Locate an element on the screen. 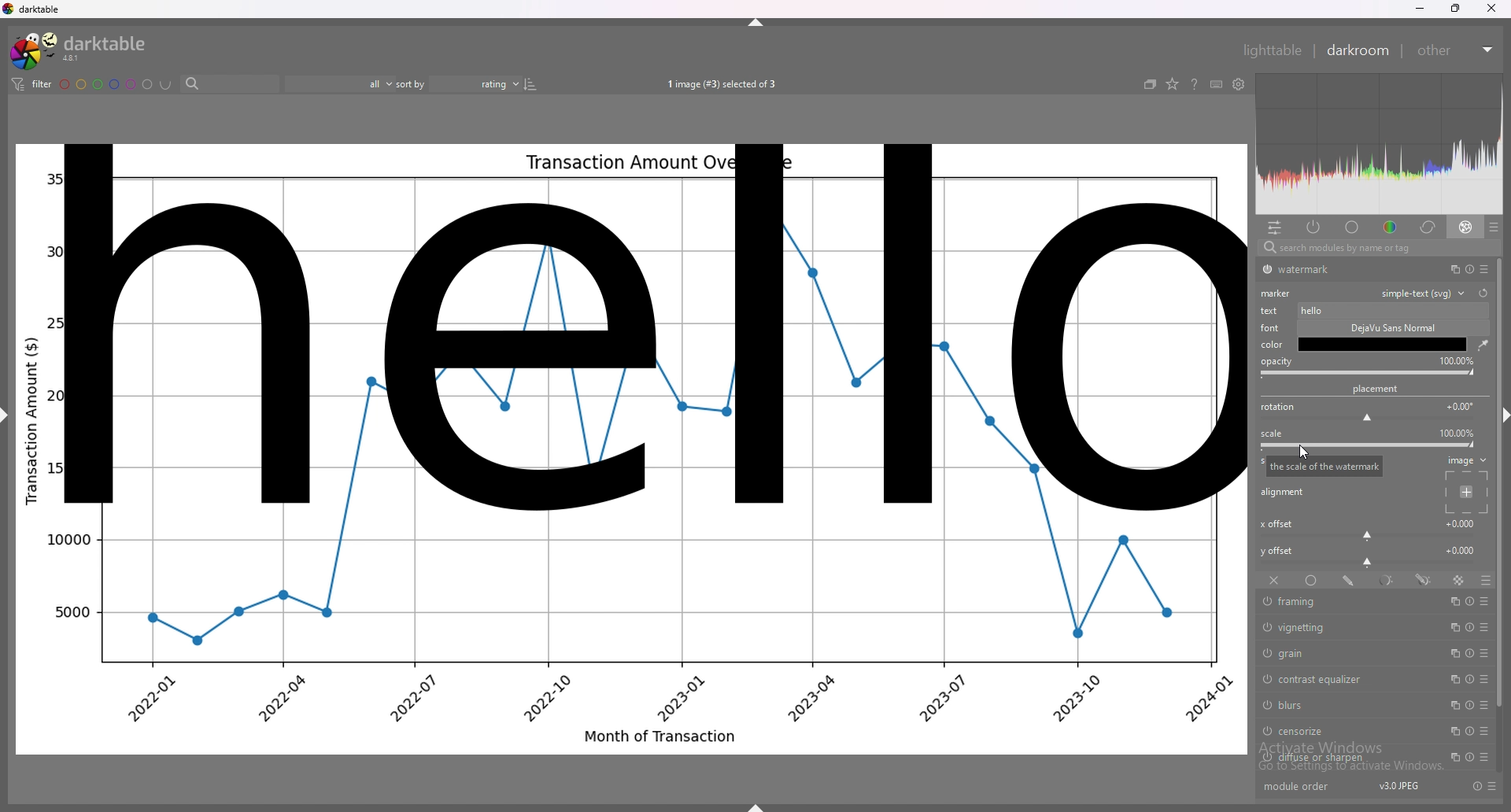 The width and height of the screenshot is (1511, 812). other is located at coordinates (1457, 50).